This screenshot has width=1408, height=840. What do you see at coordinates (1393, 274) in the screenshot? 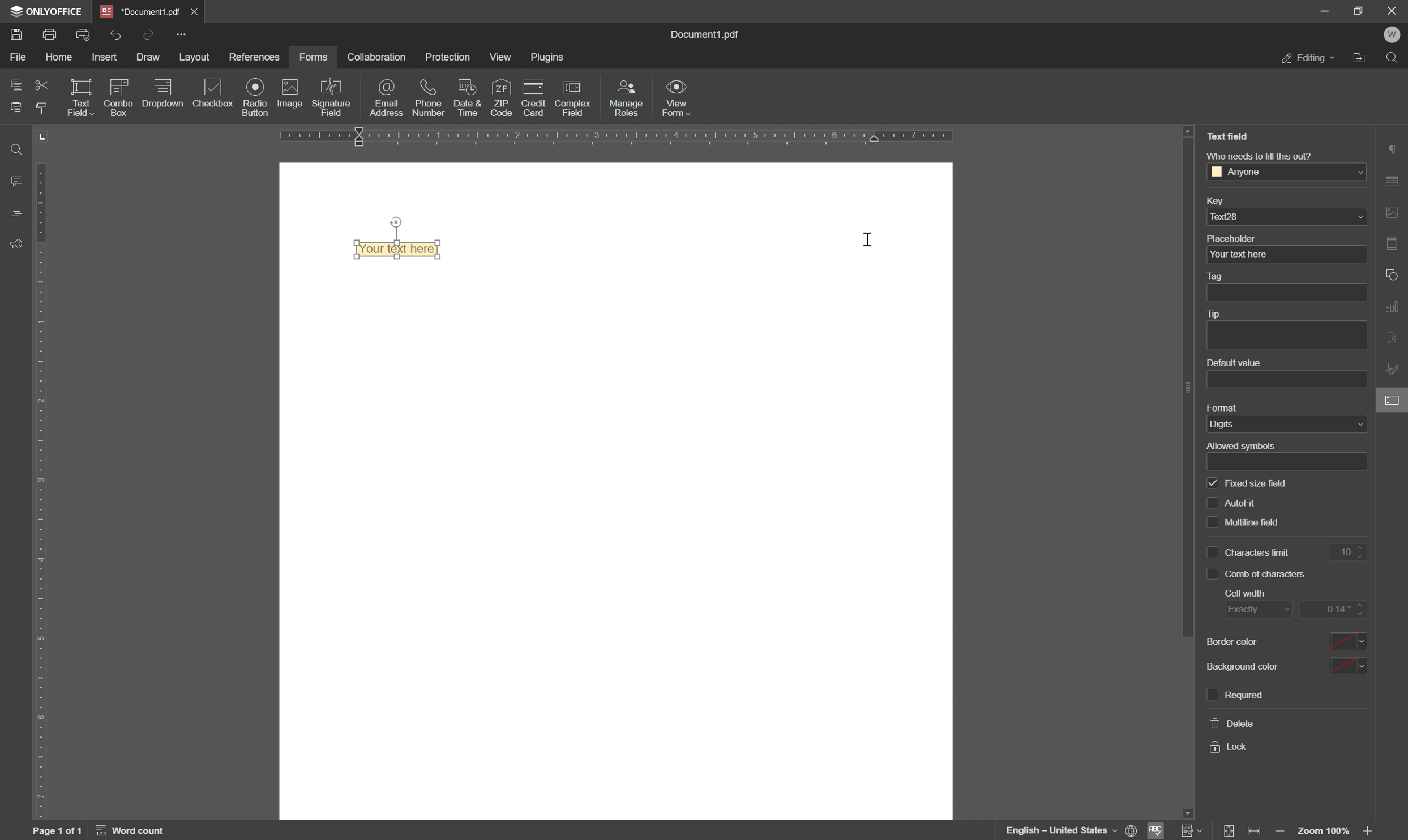
I see `shape settings` at bounding box center [1393, 274].